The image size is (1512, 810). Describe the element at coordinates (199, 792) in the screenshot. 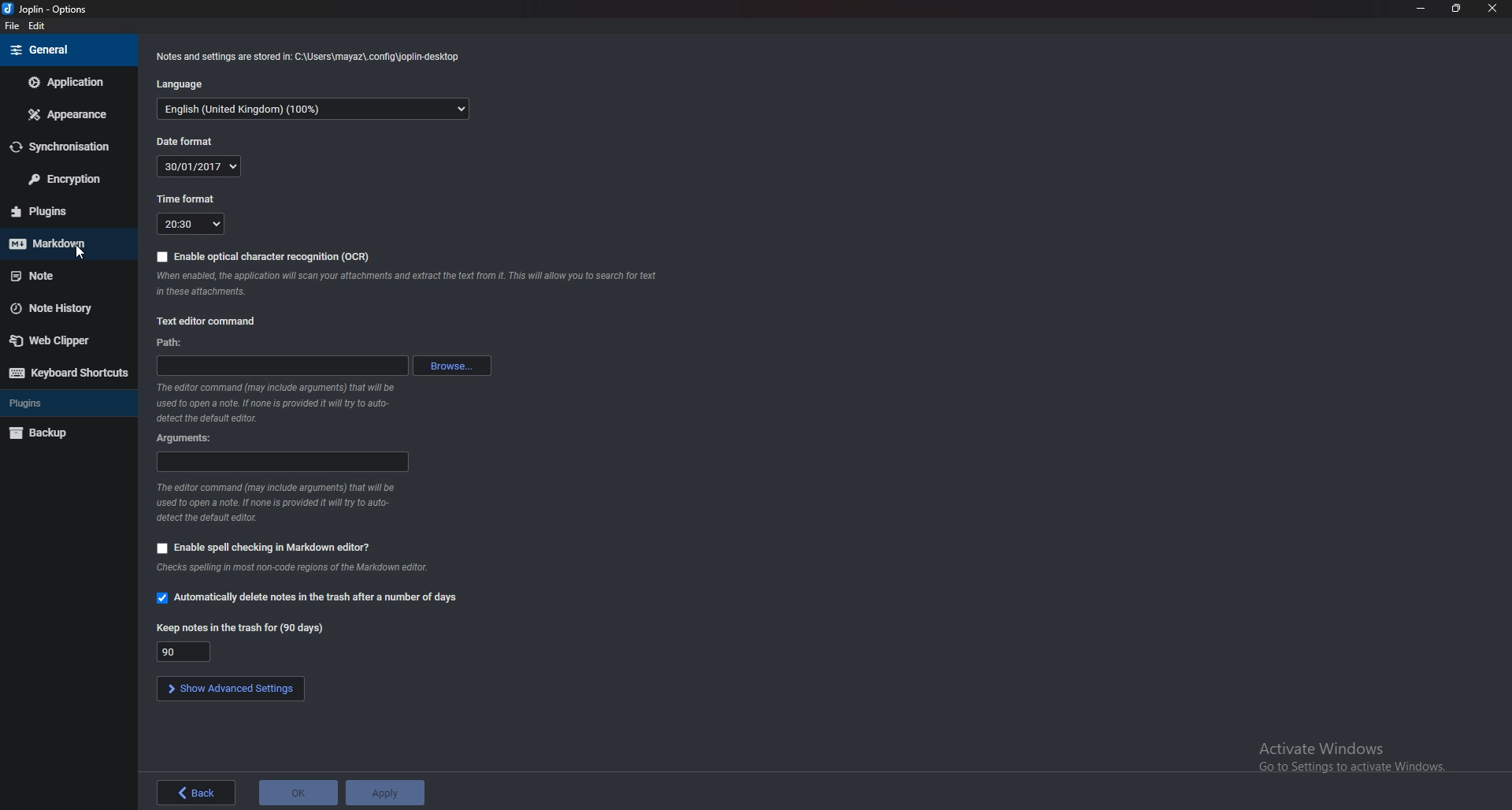

I see `back` at that location.